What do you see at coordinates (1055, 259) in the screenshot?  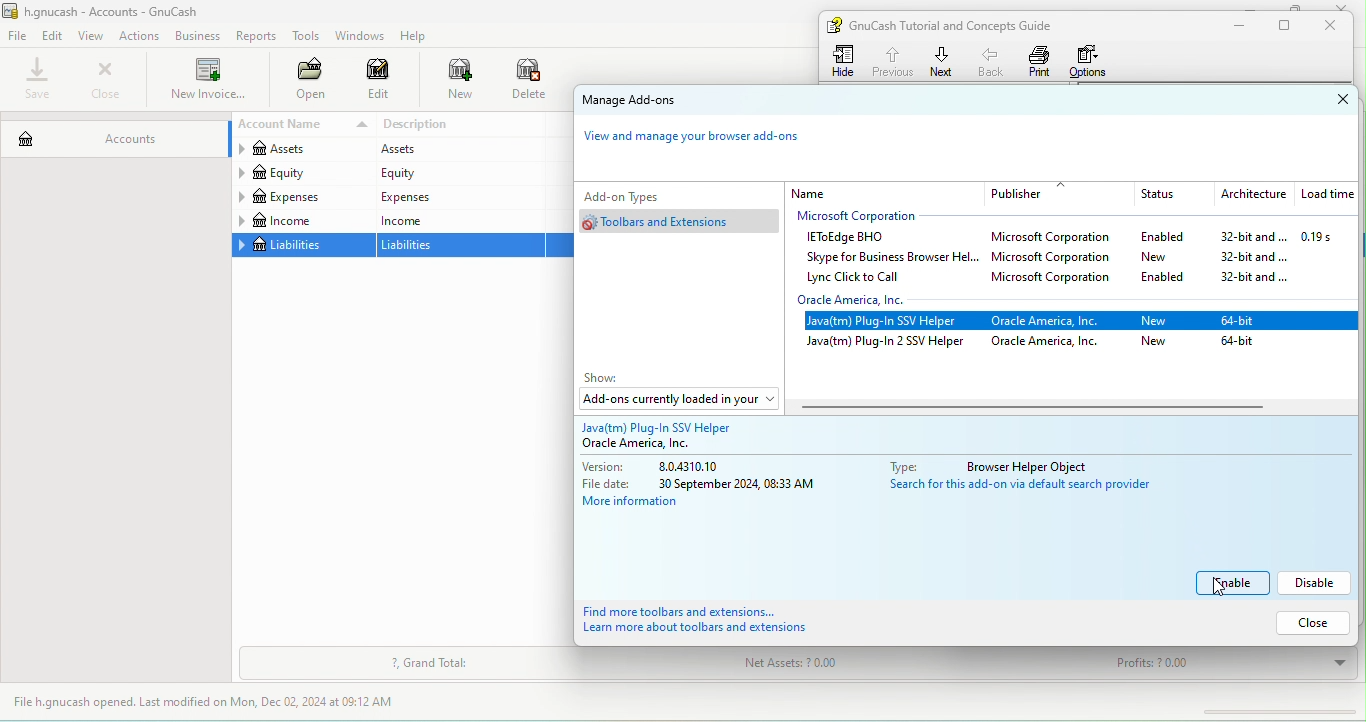 I see `microsoft corporation` at bounding box center [1055, 259].